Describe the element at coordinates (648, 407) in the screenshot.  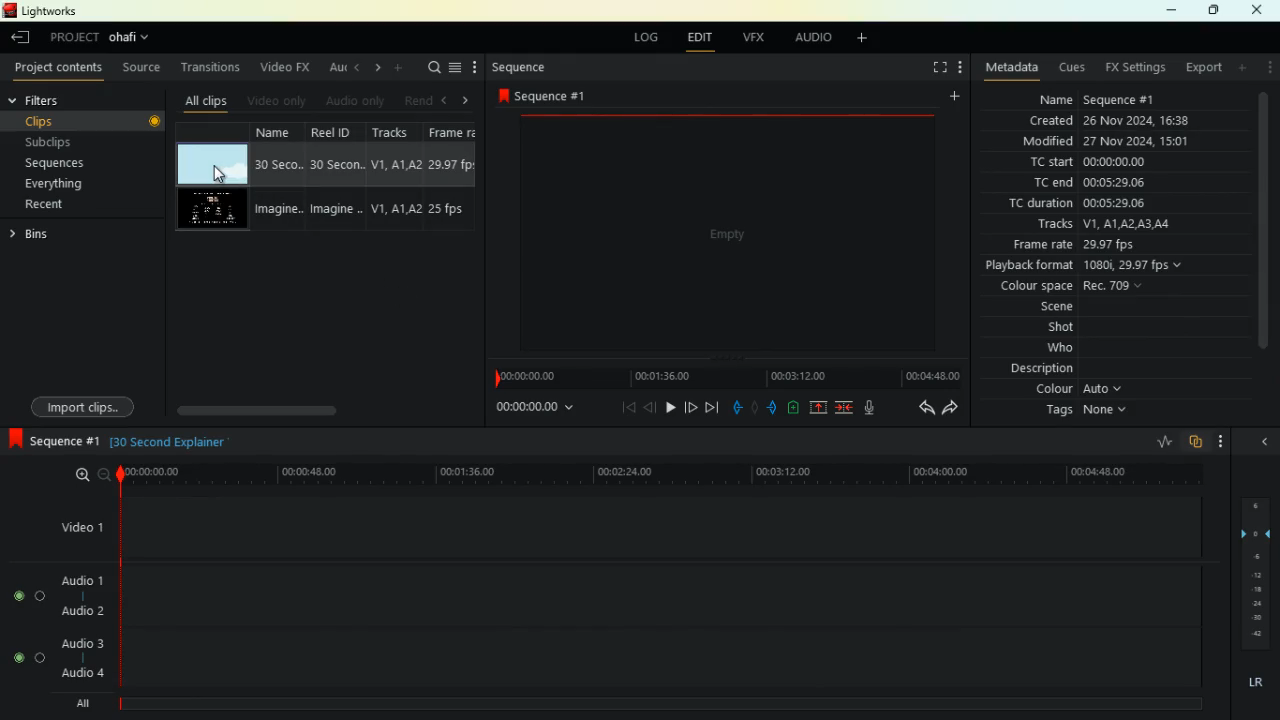
I see `back` at that location.